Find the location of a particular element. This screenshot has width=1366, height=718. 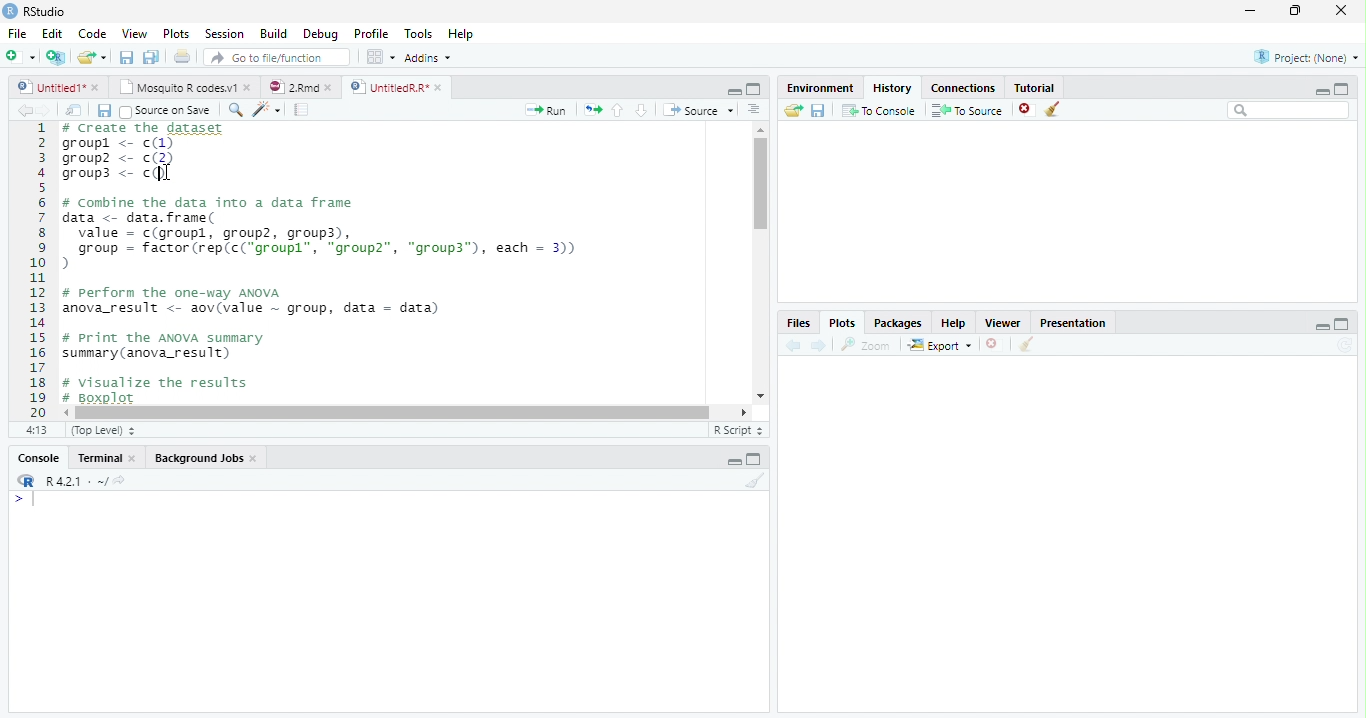

help is located at coordinates (954, 323).